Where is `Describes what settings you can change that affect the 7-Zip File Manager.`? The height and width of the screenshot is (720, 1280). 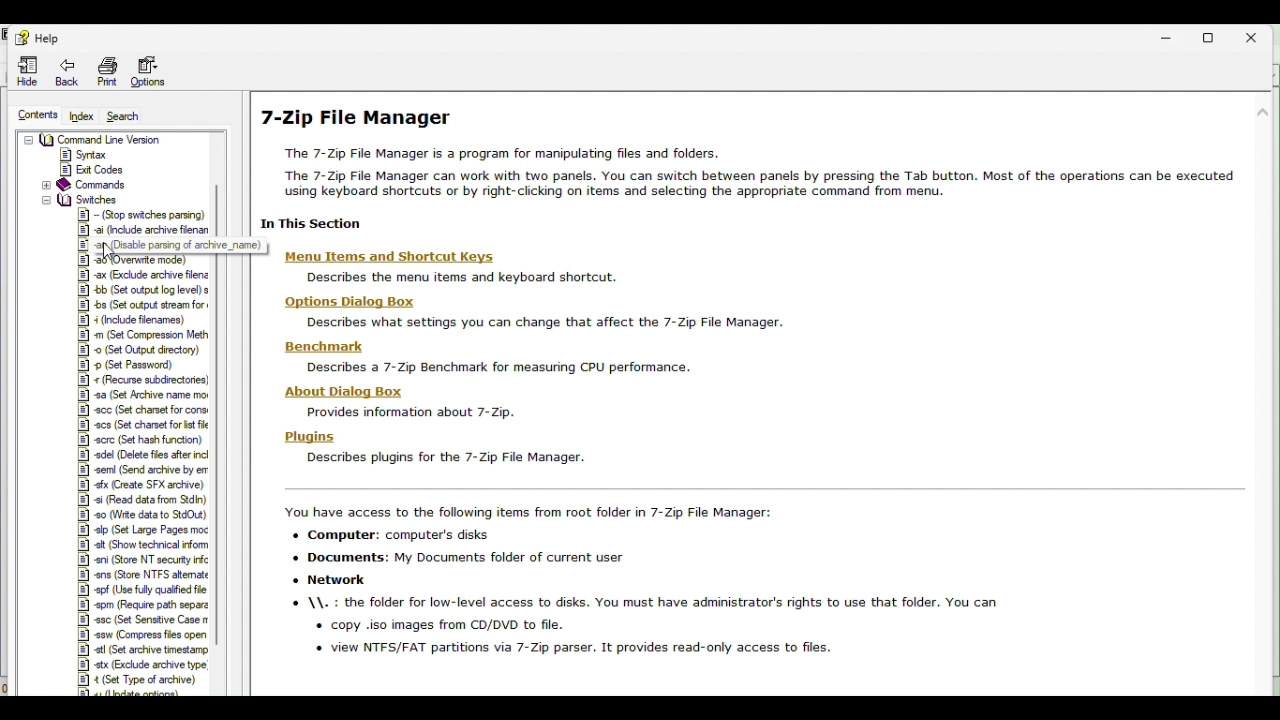
Describes what settings you can change that affect the 7-Zip File Manager. is located at coordinates (539, 323).